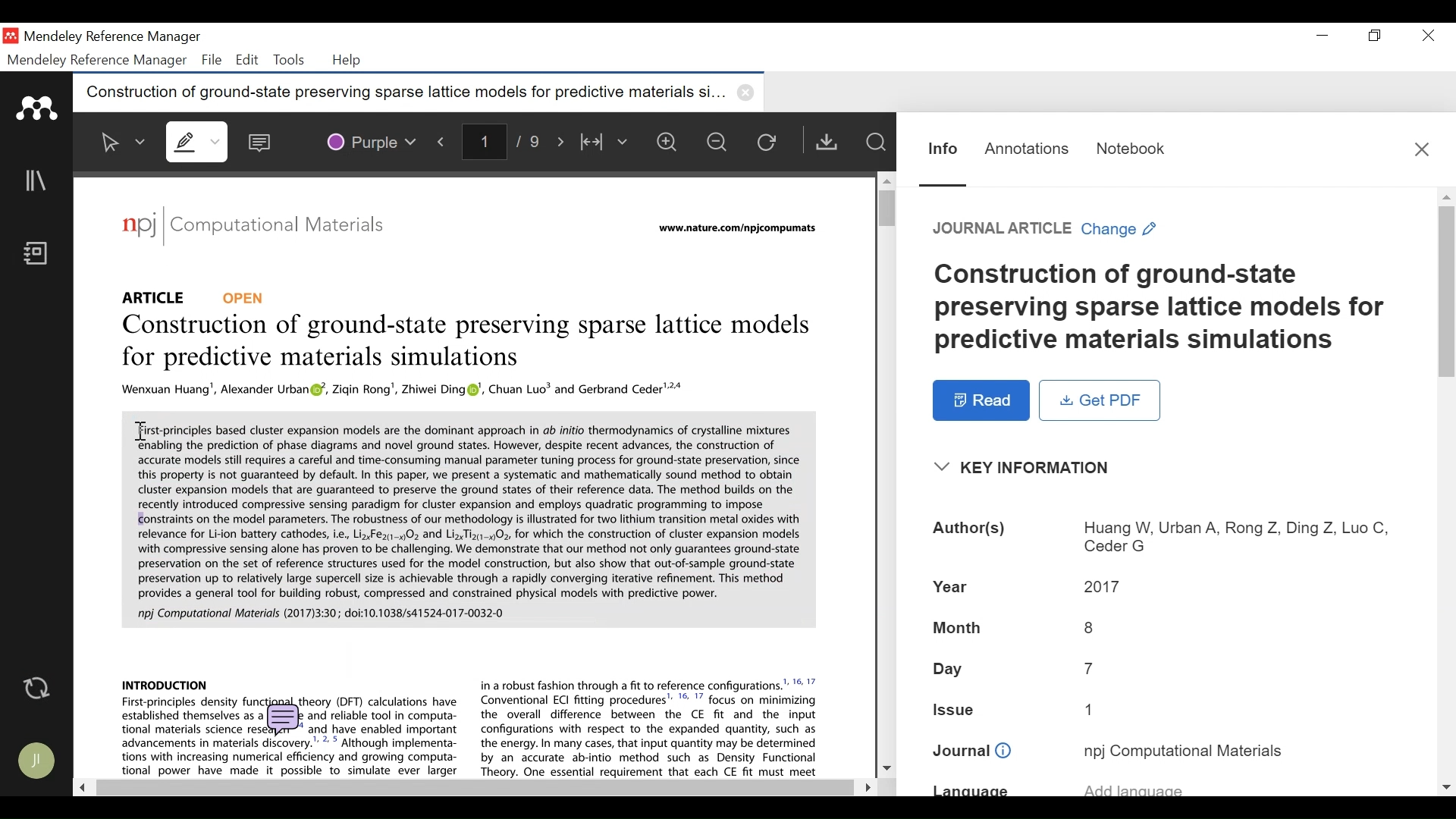 The width and height of the screenshot is (1456, 819). I want to click on Zoom in, so click(671, 142).